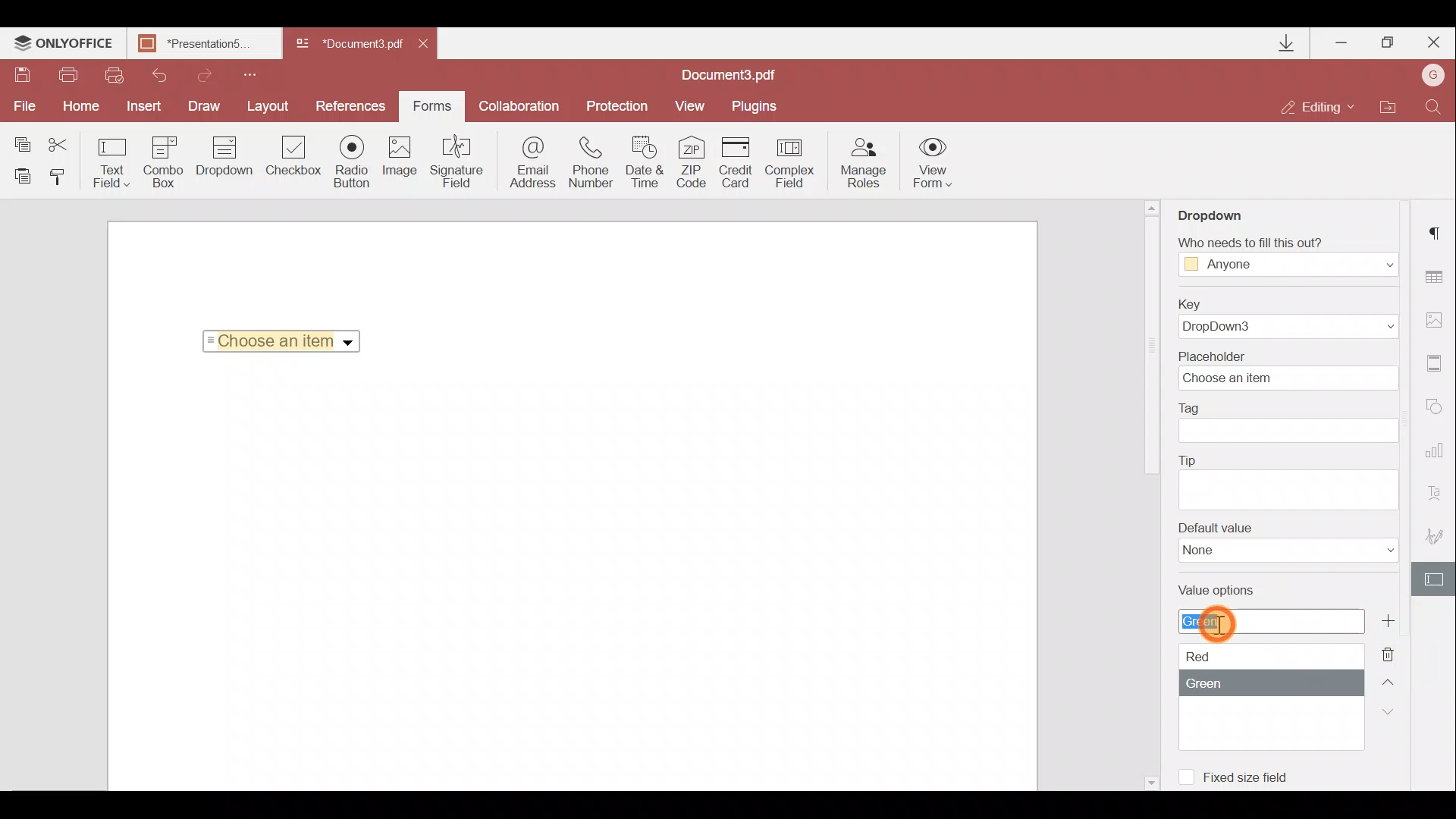 This screenshot has width=1456, height=819. What do you see at coordinates (64, 45) in the screenshot?
I see `ONLYOFFICE` at bounding box center [64, 45].